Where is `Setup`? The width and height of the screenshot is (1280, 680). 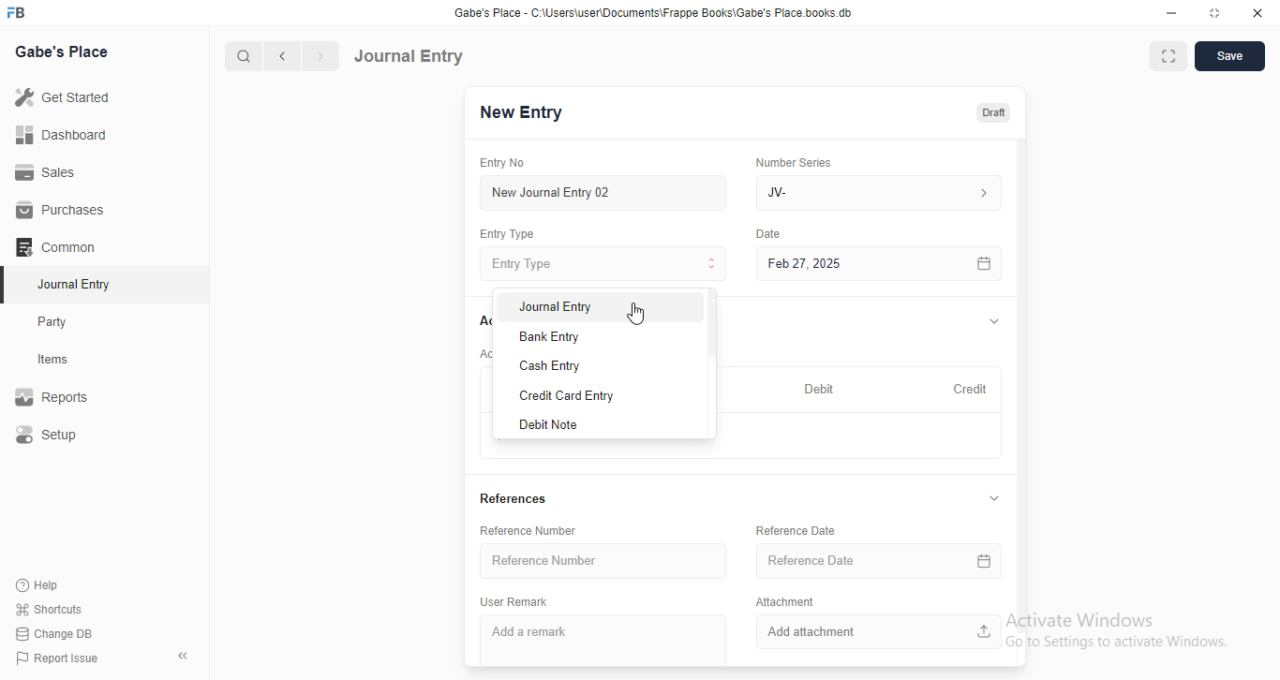 Setup is located at coordinates (49, 434).